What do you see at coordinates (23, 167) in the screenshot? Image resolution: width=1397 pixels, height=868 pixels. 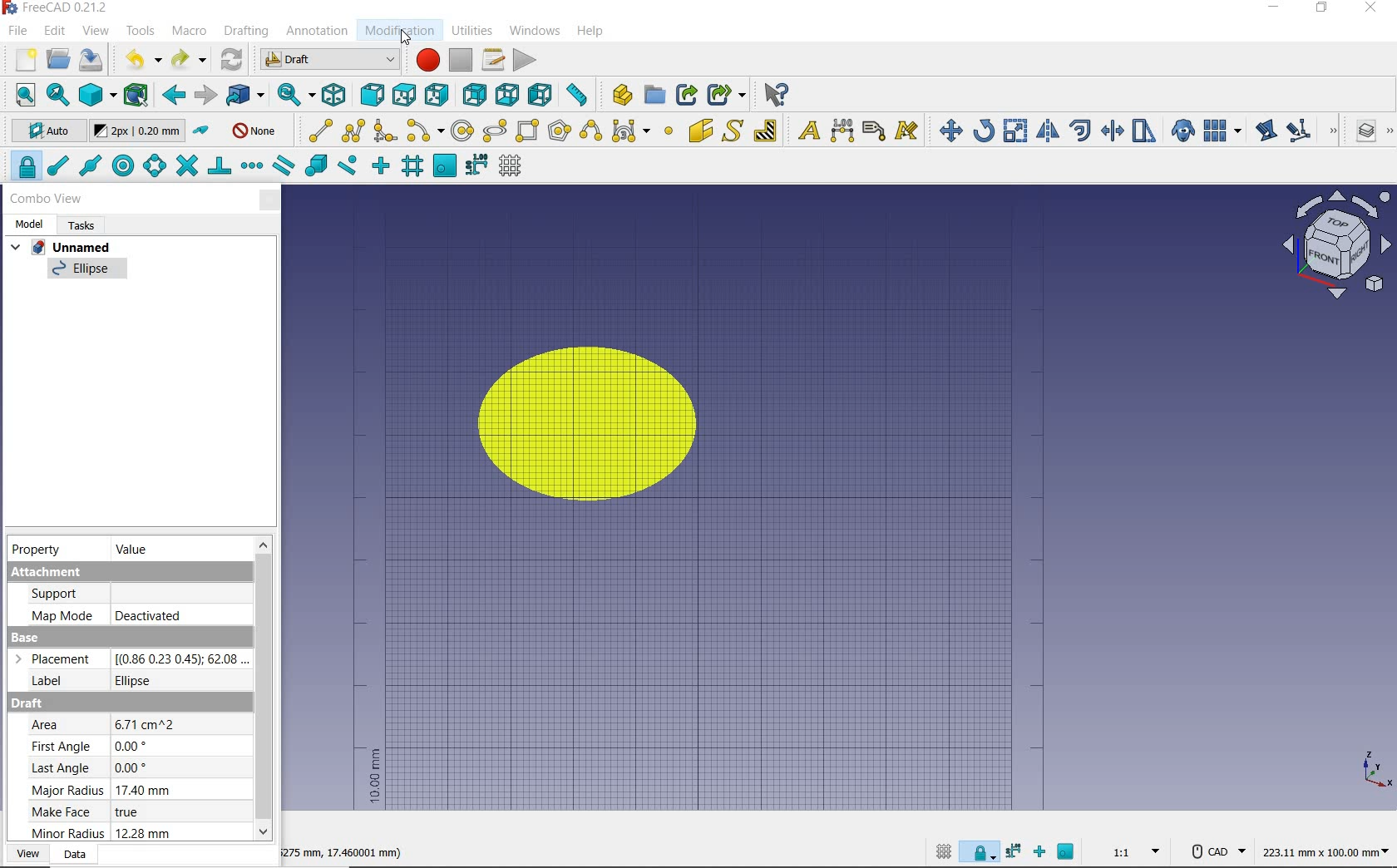 I see `snap lock` at bounding box center [23, 167].